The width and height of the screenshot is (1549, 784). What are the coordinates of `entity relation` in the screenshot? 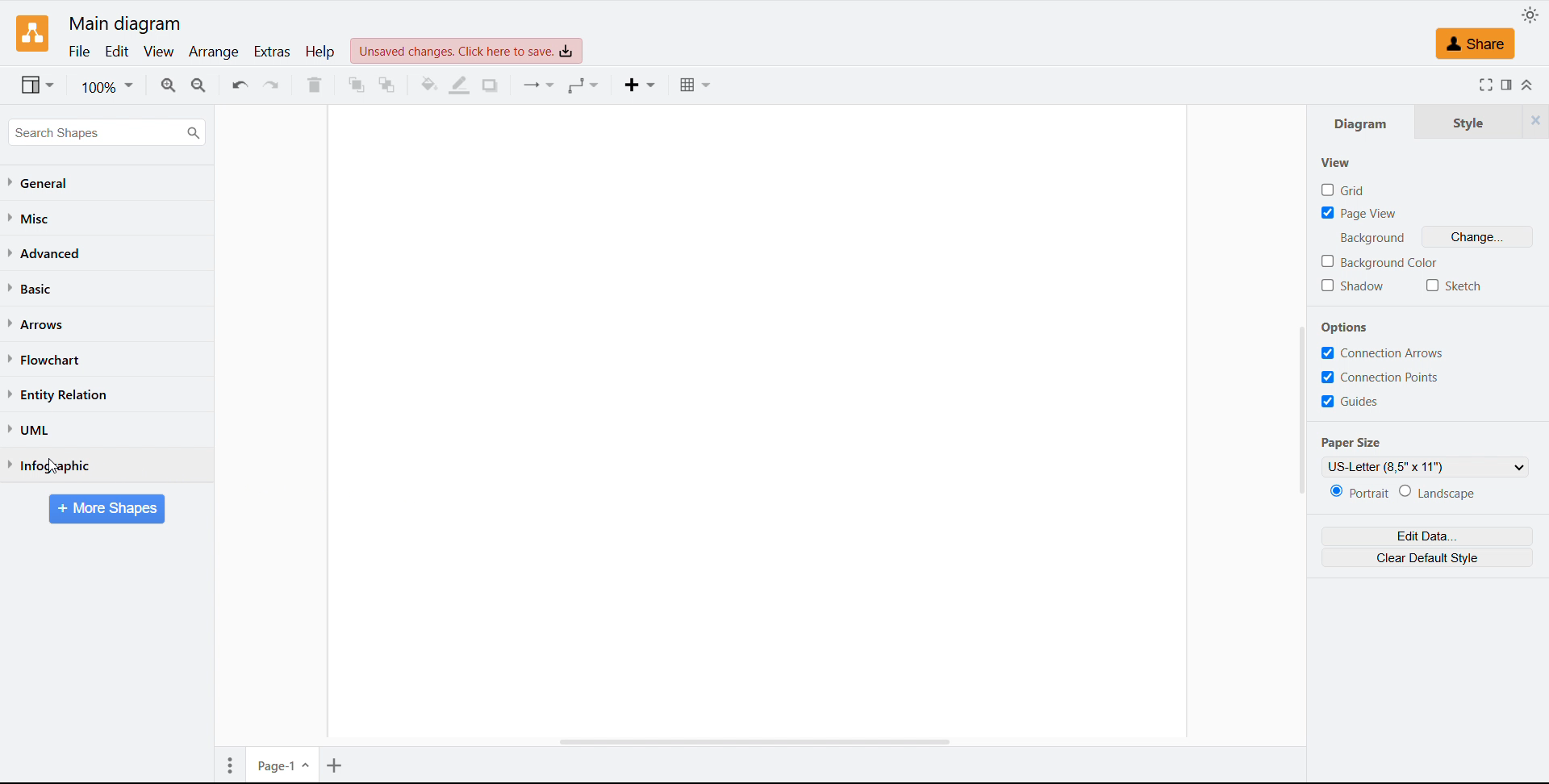 It's located at (58, 395).